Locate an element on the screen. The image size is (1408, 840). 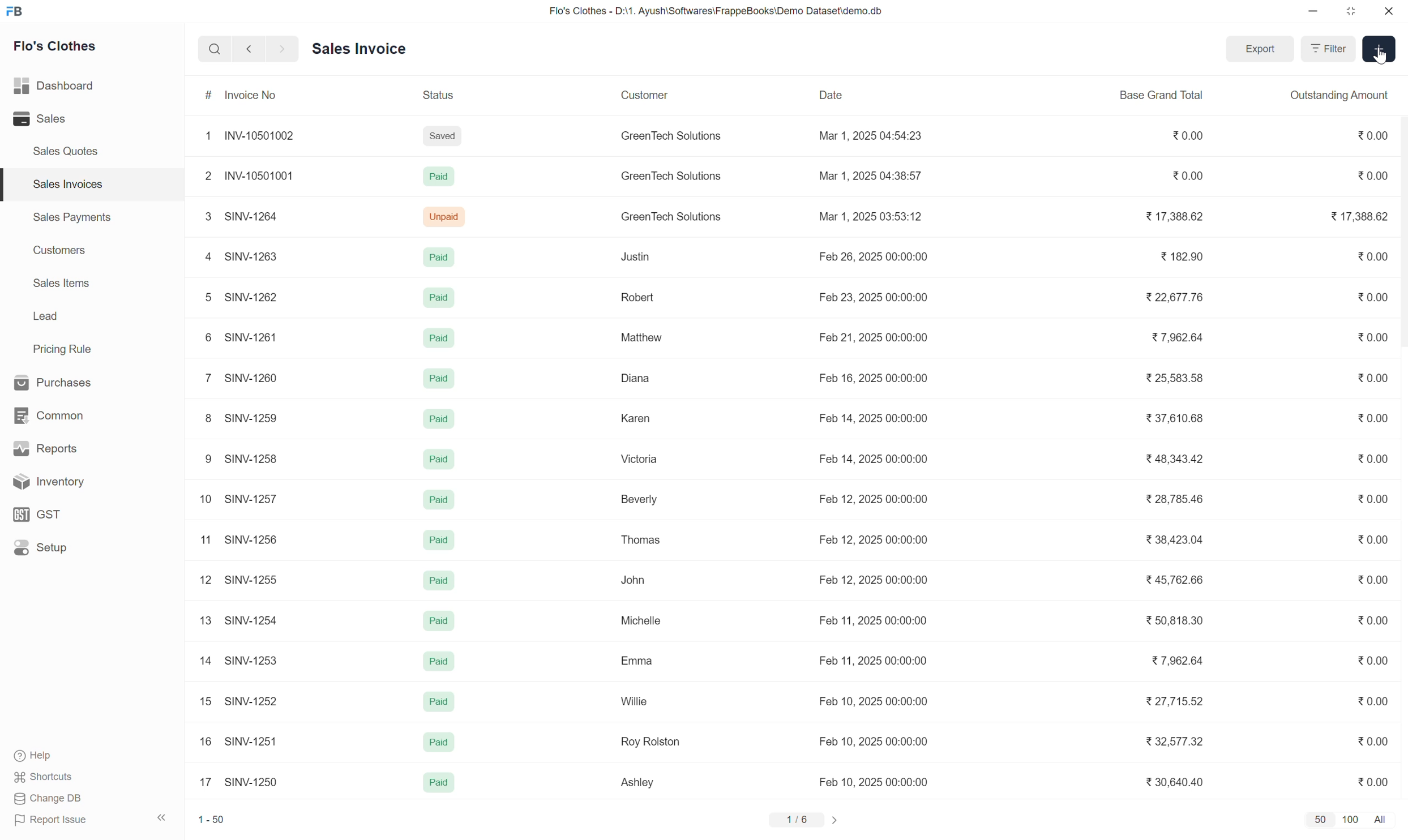
15 is located at coordinates (204, 702).